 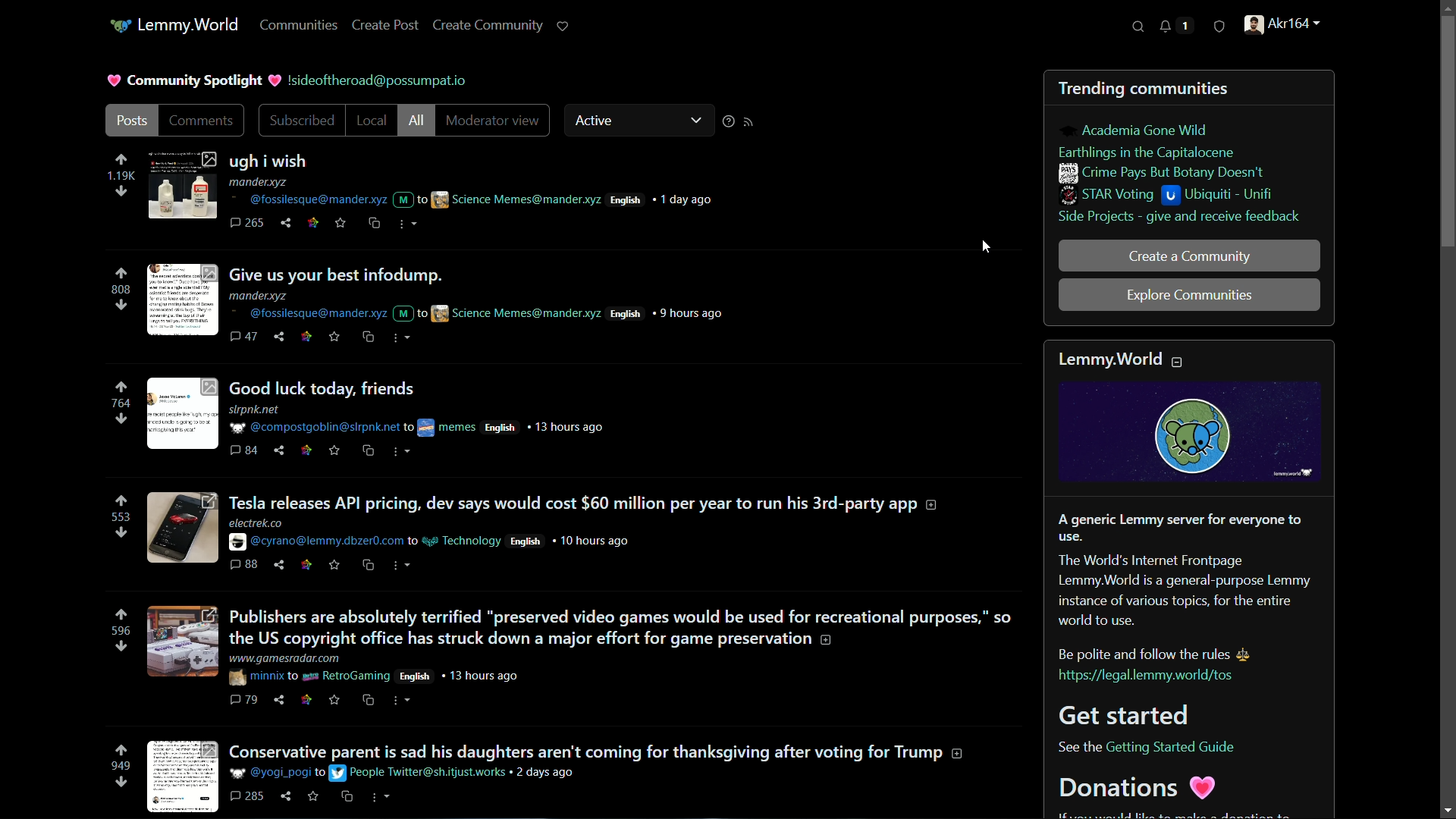 I want to click on 88 comments, so click(x=243, y=565).